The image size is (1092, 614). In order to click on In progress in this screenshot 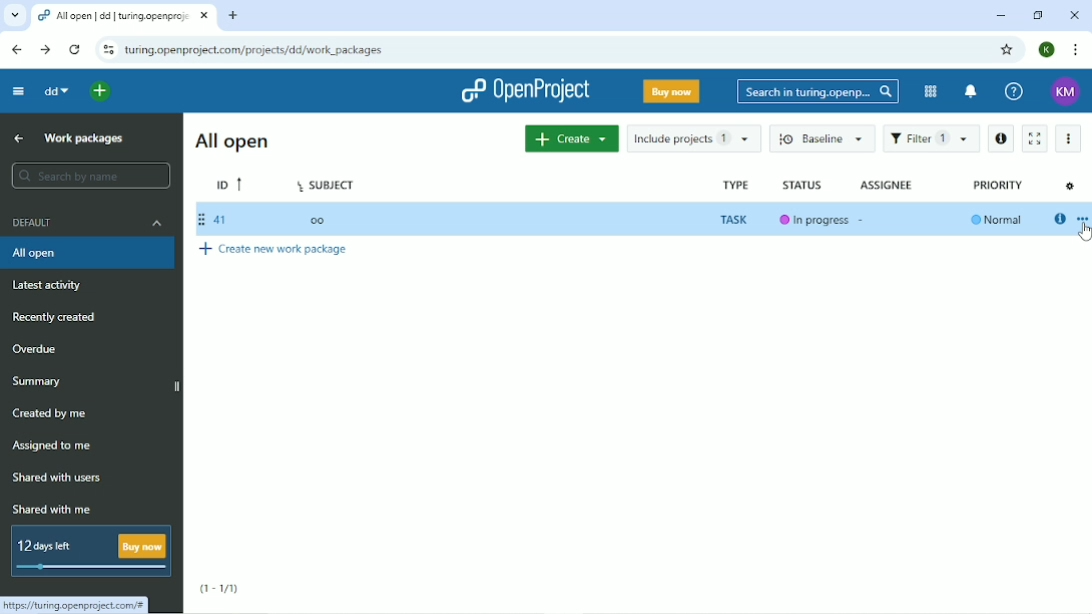, I will do `click(813, 221)`.